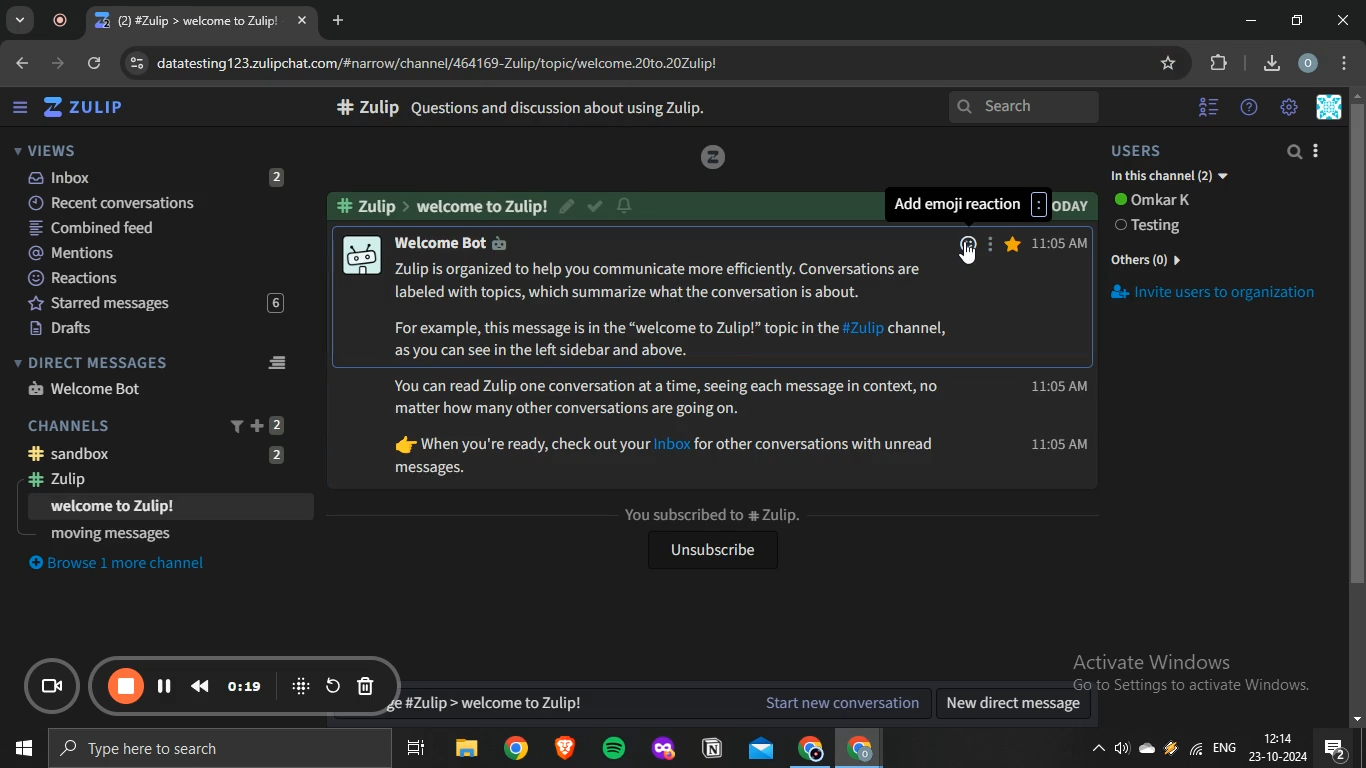 Image resolution: width=1366 pixels, height=768 pixels. Describe the element at coordinates (1348, 64) in the screenshot. I see `settings menu` at that location.